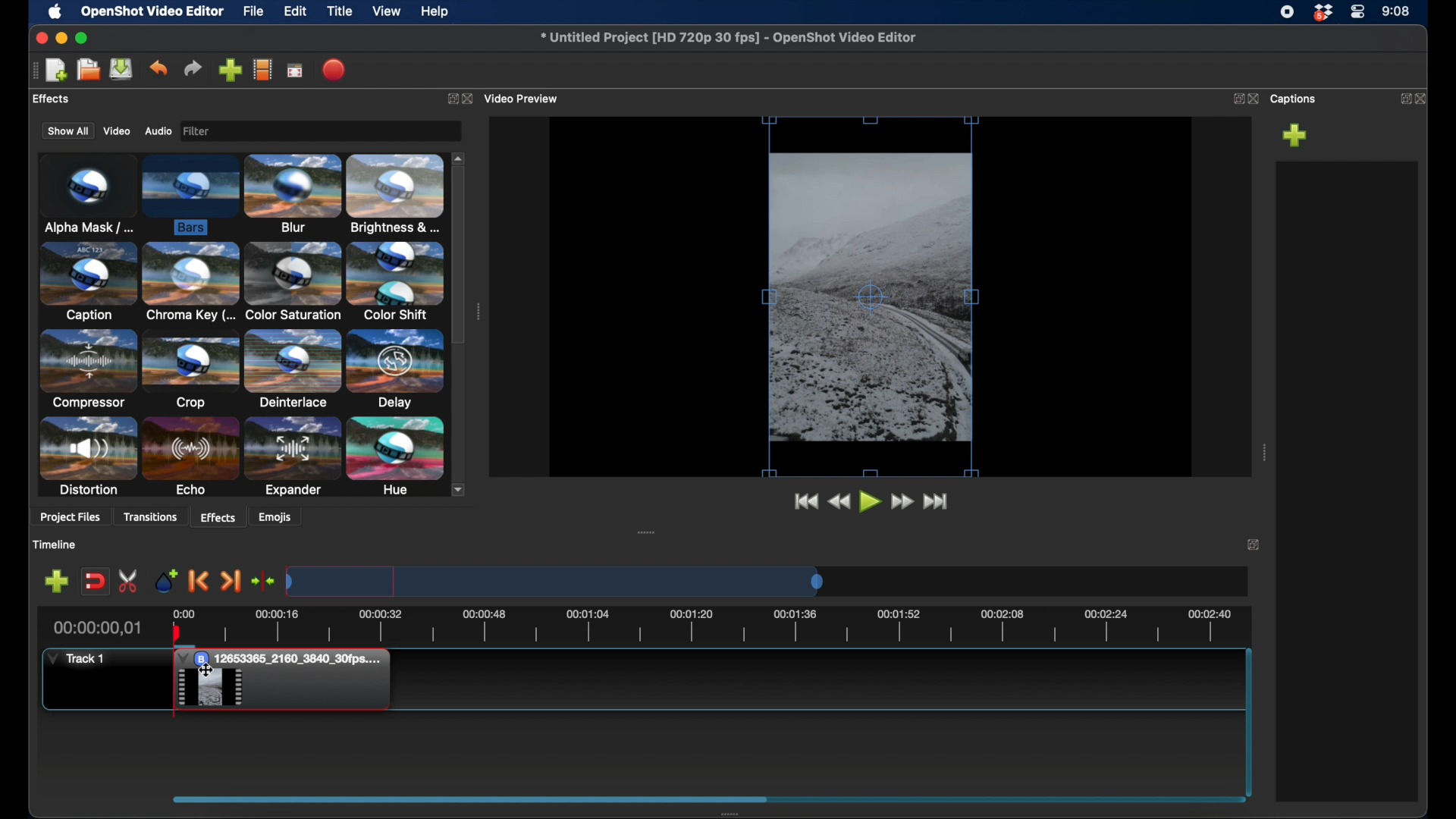 Image resolution: width=1456 pixels, height=819 pixels. Describe the element at coordinates (646, 531) in the screenshot. I see `drag handle` at that location.